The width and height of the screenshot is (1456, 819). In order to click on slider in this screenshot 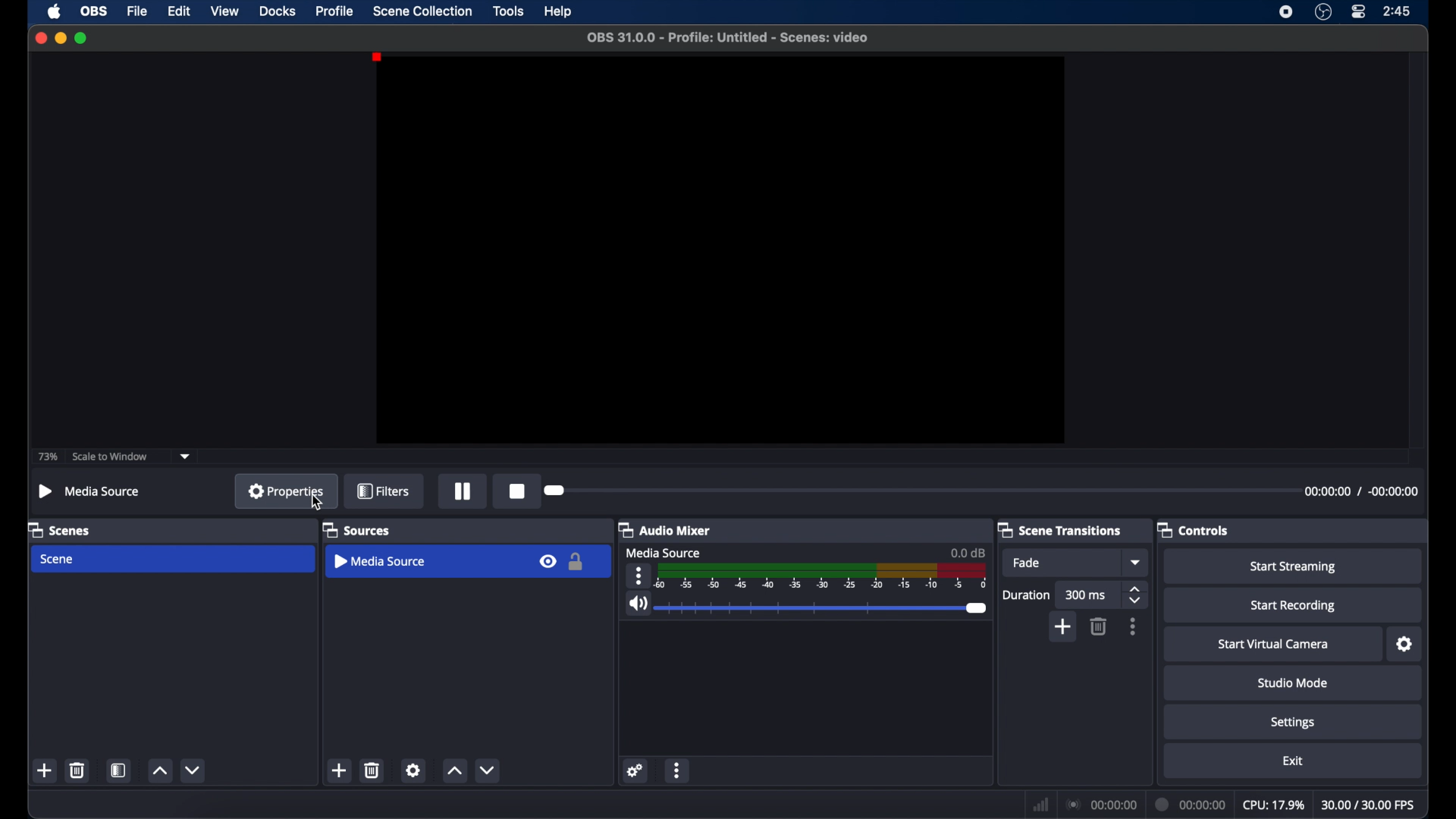, I will do `click(916, 490)`.